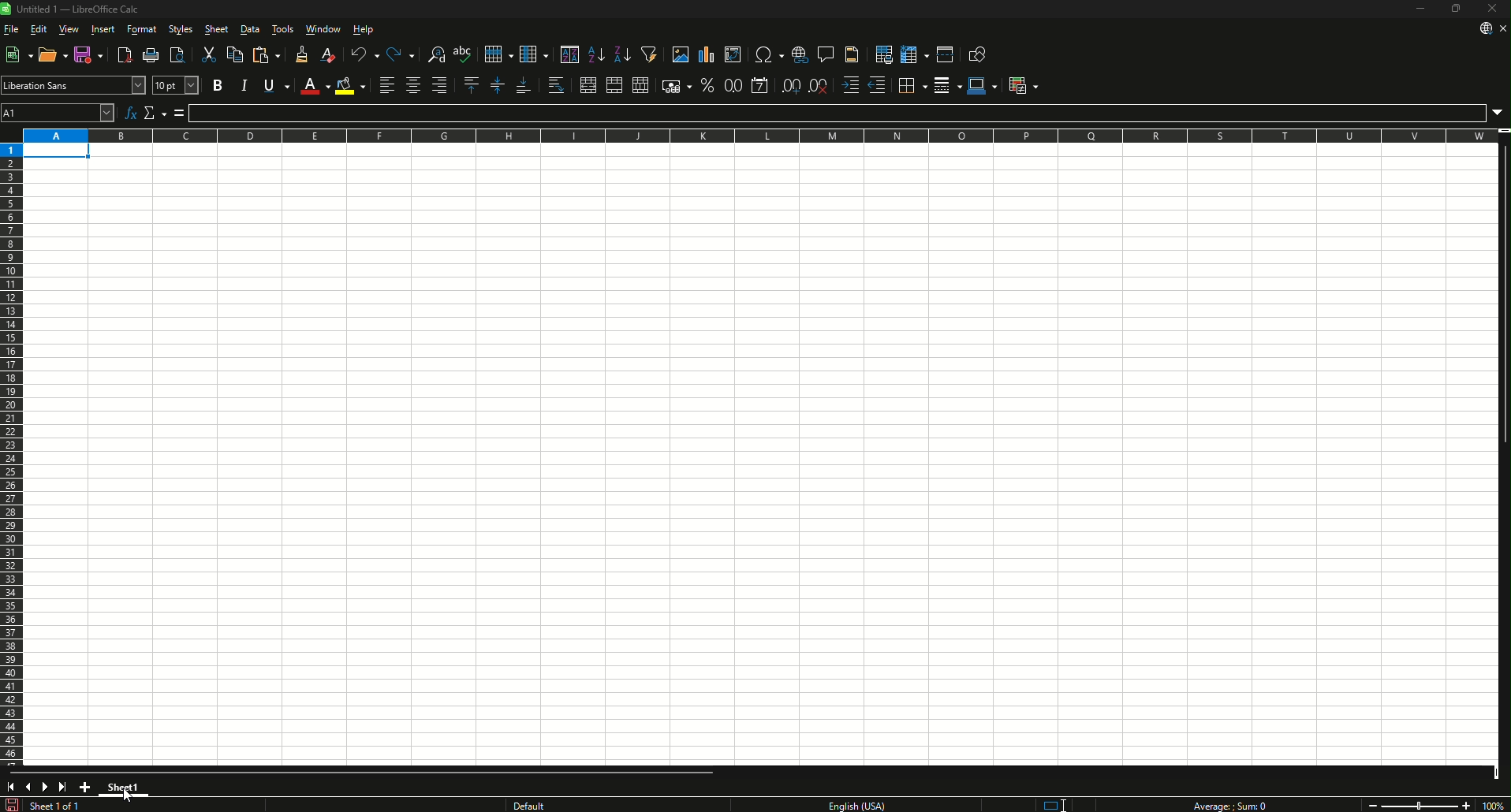 The image size is (1511, 812). What do you see at coordinates (124, 788) in the screenshot?
I see `Sheet1` at bounding box center [124, 788].